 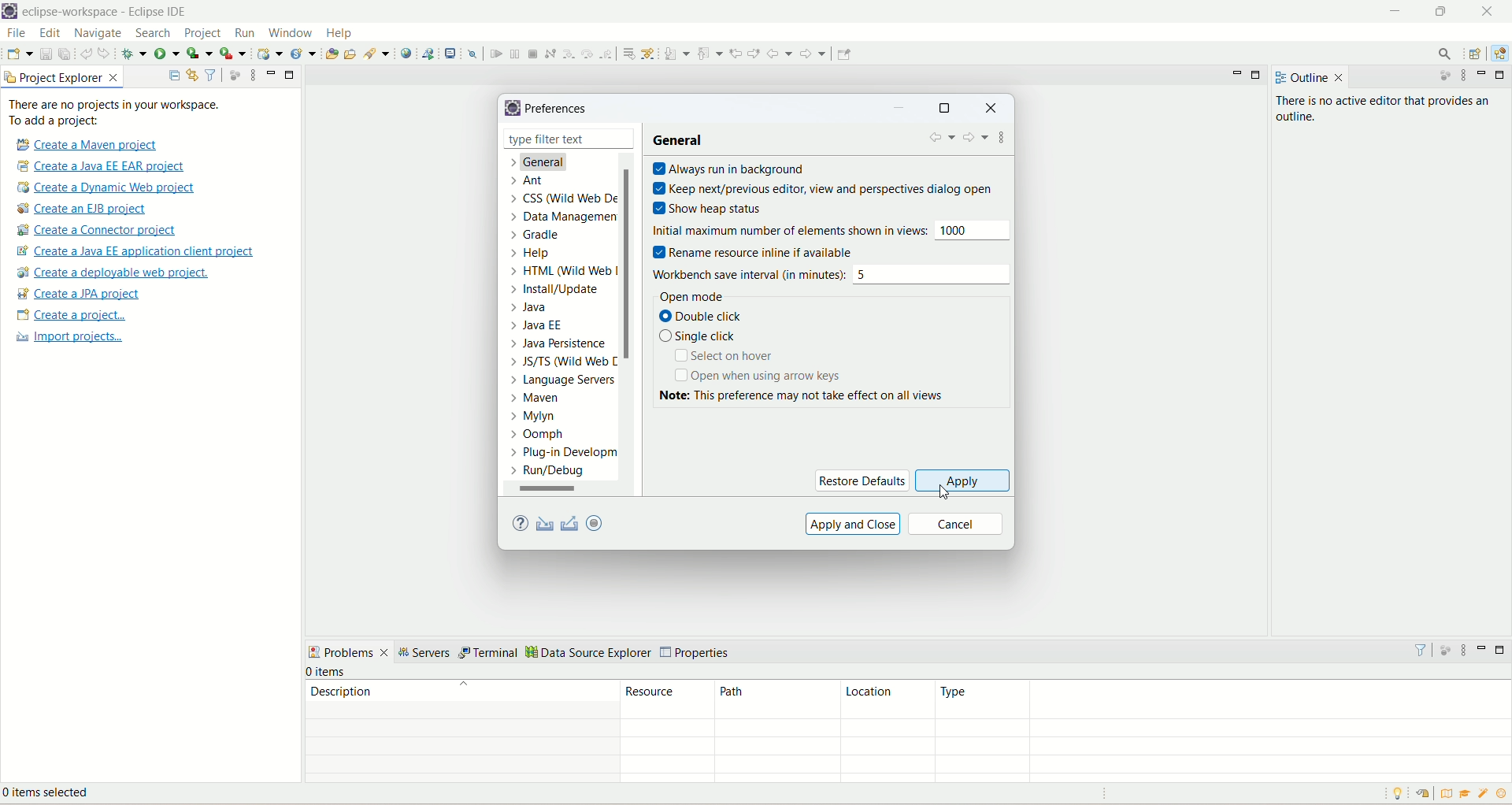 What do you see at coordinates (353, 55) in the screenshot?
I see `open task` at bounding box center [353, 55].